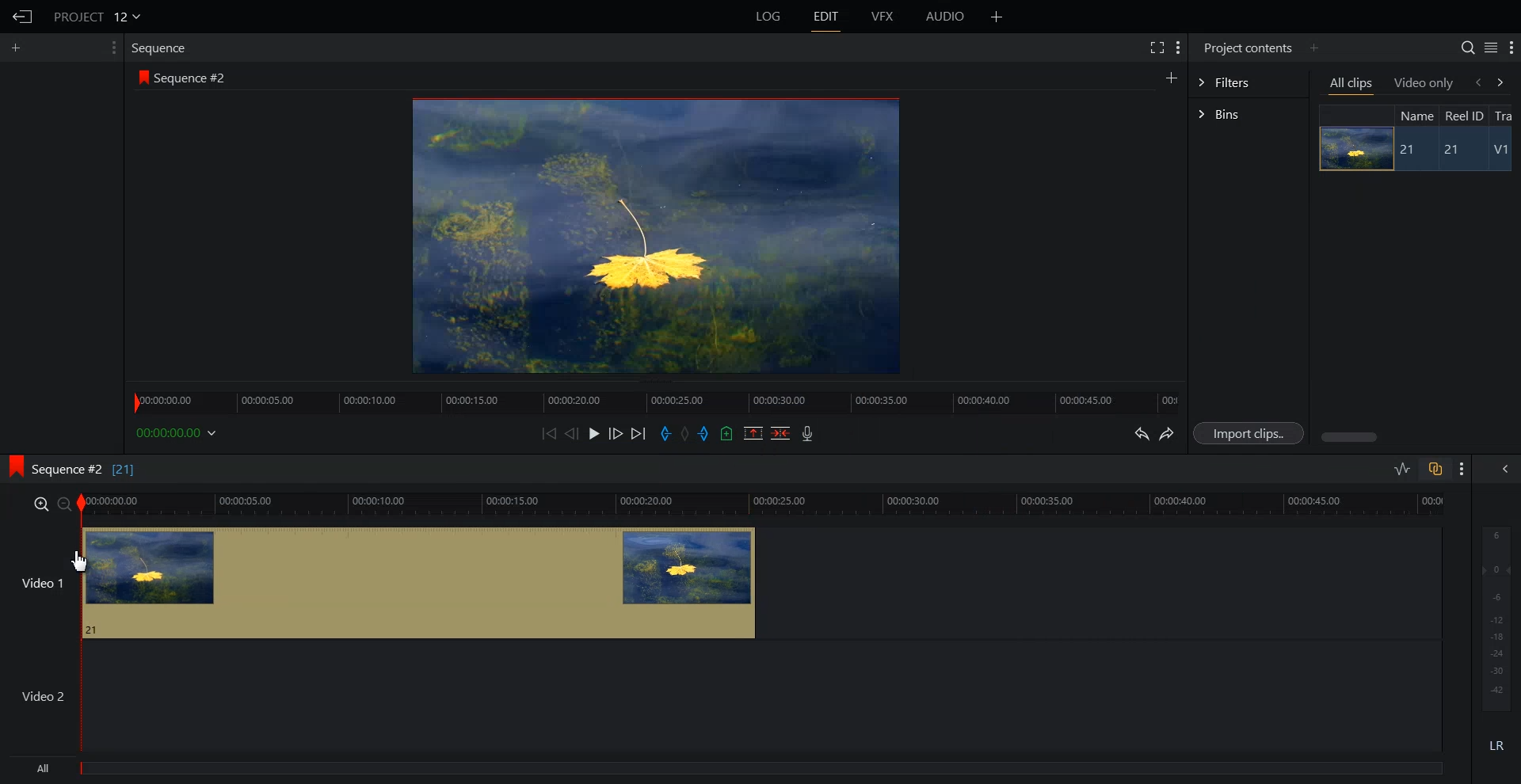 Image resolution: width=1521 pixels, height=784 pixels. What do you see at coordinates (827, 17) in the screenshot?
I see `EDIT` at bounding box center [827, 17].